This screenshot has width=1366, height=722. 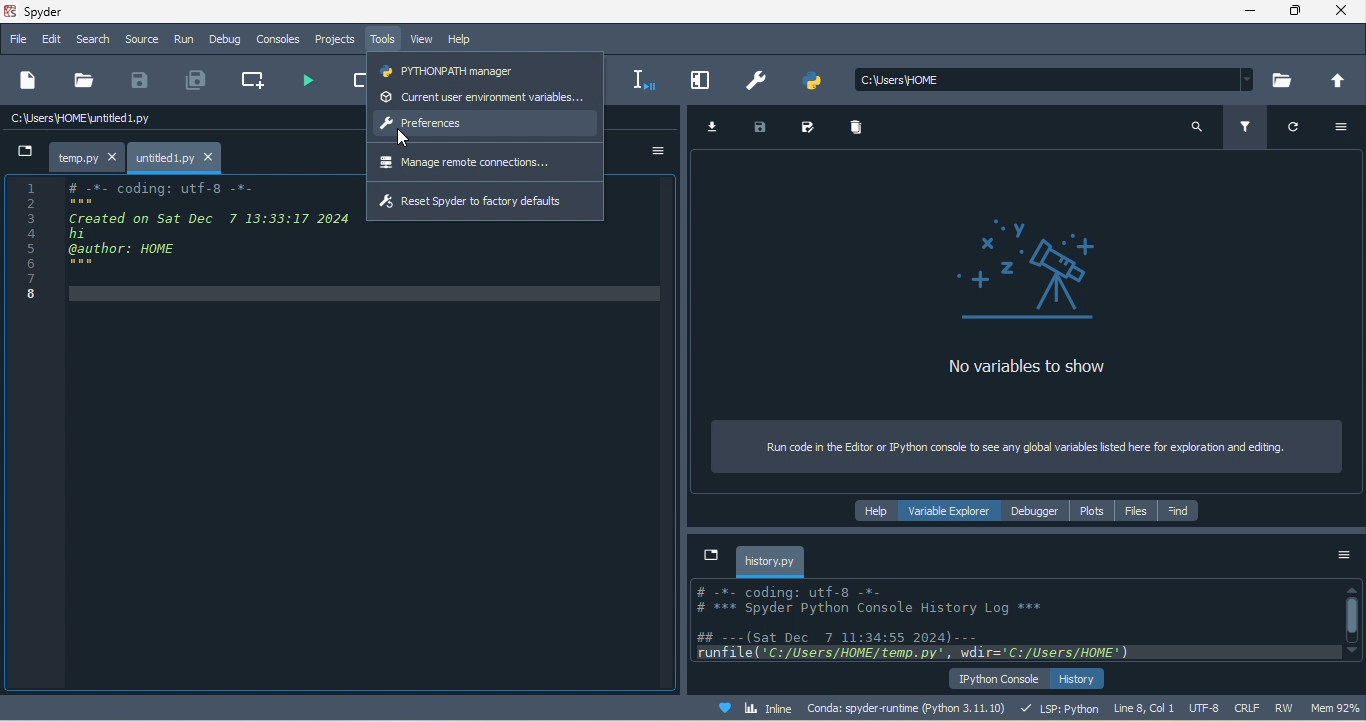 What do you see at coordinates (1286, 80) in the screenshot?
I see `browse` at bounding box center [1286, 80].